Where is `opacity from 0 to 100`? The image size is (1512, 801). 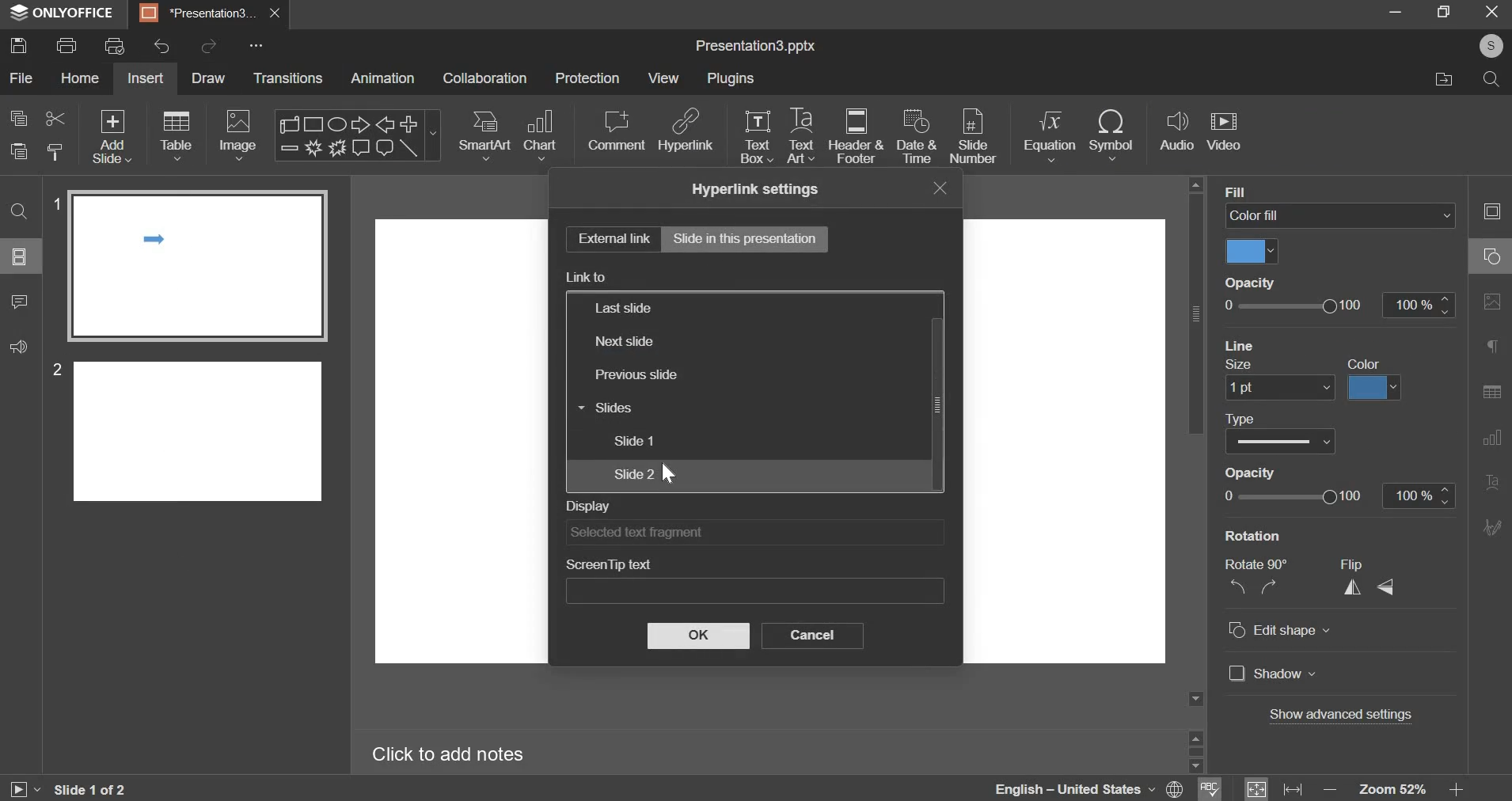
opacity from 0 to 100 is located at coordinates (1293, 495).